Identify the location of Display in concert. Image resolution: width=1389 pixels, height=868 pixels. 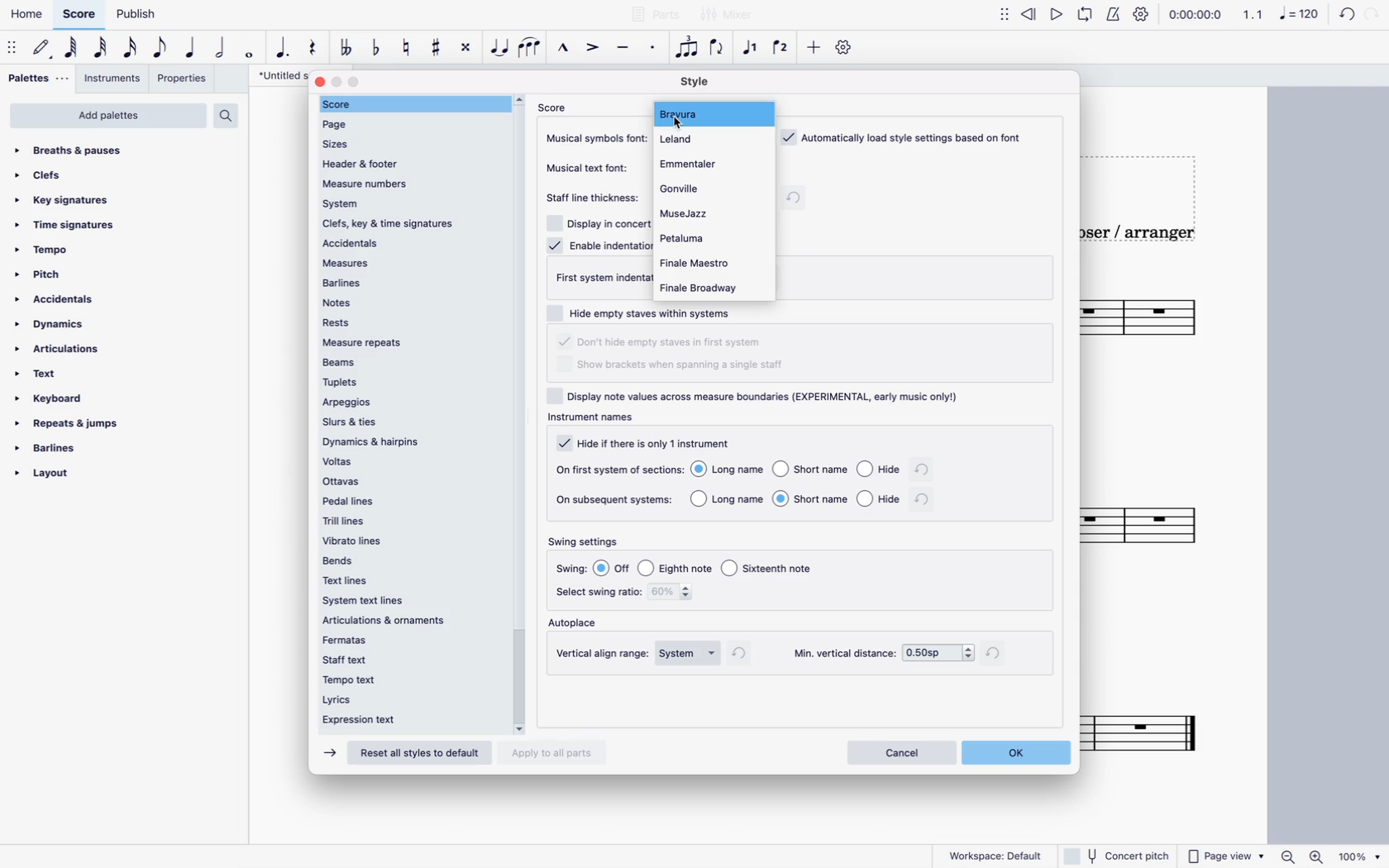
(599, 222).